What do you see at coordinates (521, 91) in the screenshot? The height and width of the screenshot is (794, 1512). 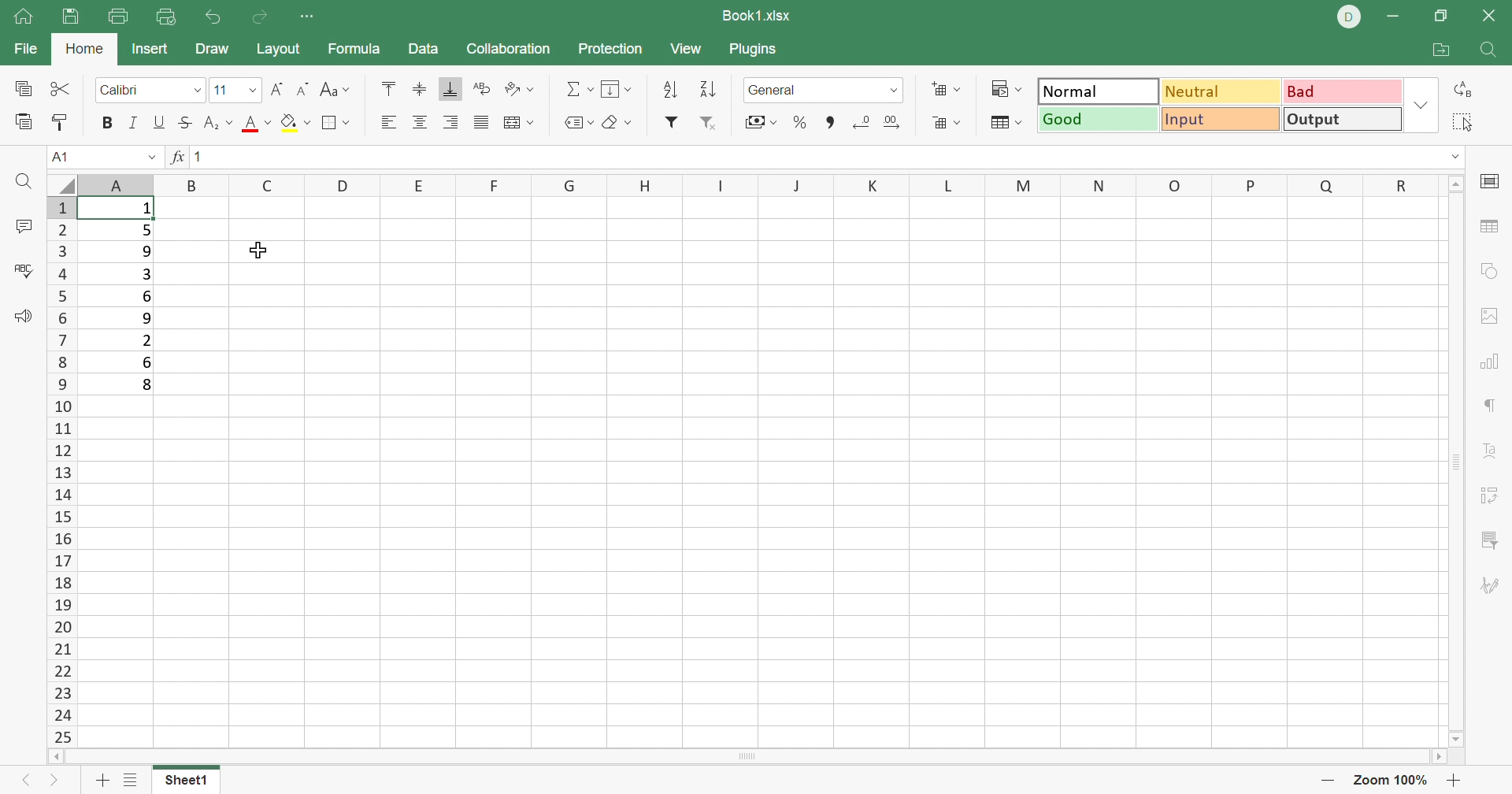 I see `Orientation` at bounding box center [521, 91].